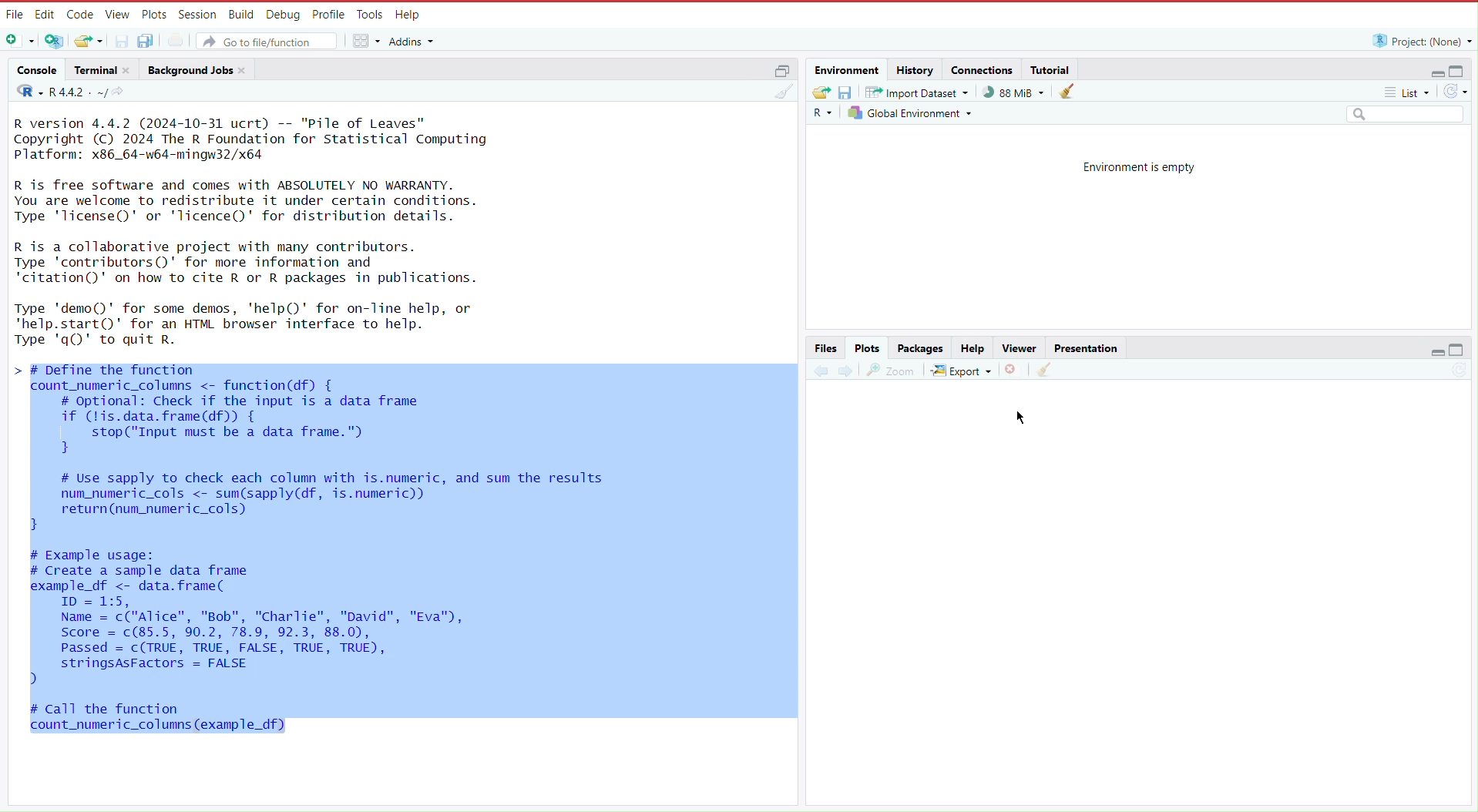 The height and width of the screenshot is (812, 1478). Describe the element at coordinates (14, 15) in the screenshot. I see `File` at that location.